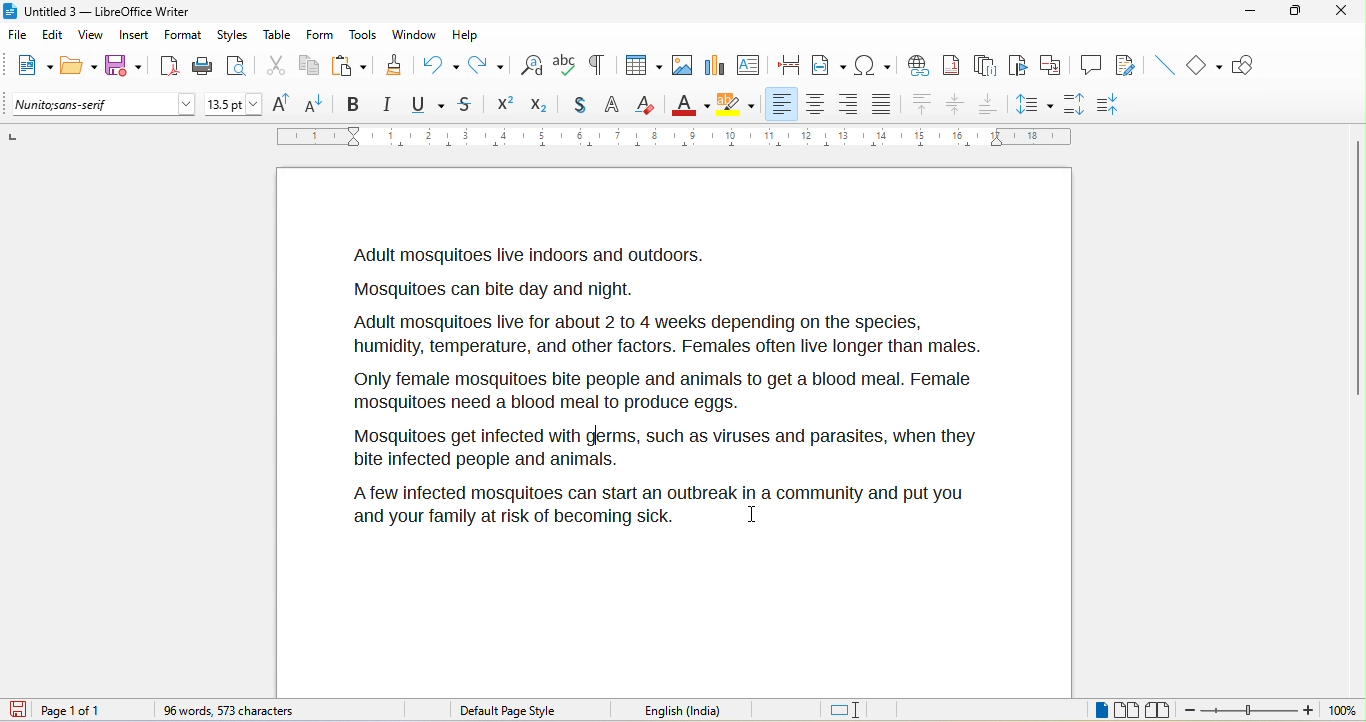 This screenshot has width=1366, height=722. Describe the element at coordinates (673, 137) in the screenshot. I see `ruler` at that location.